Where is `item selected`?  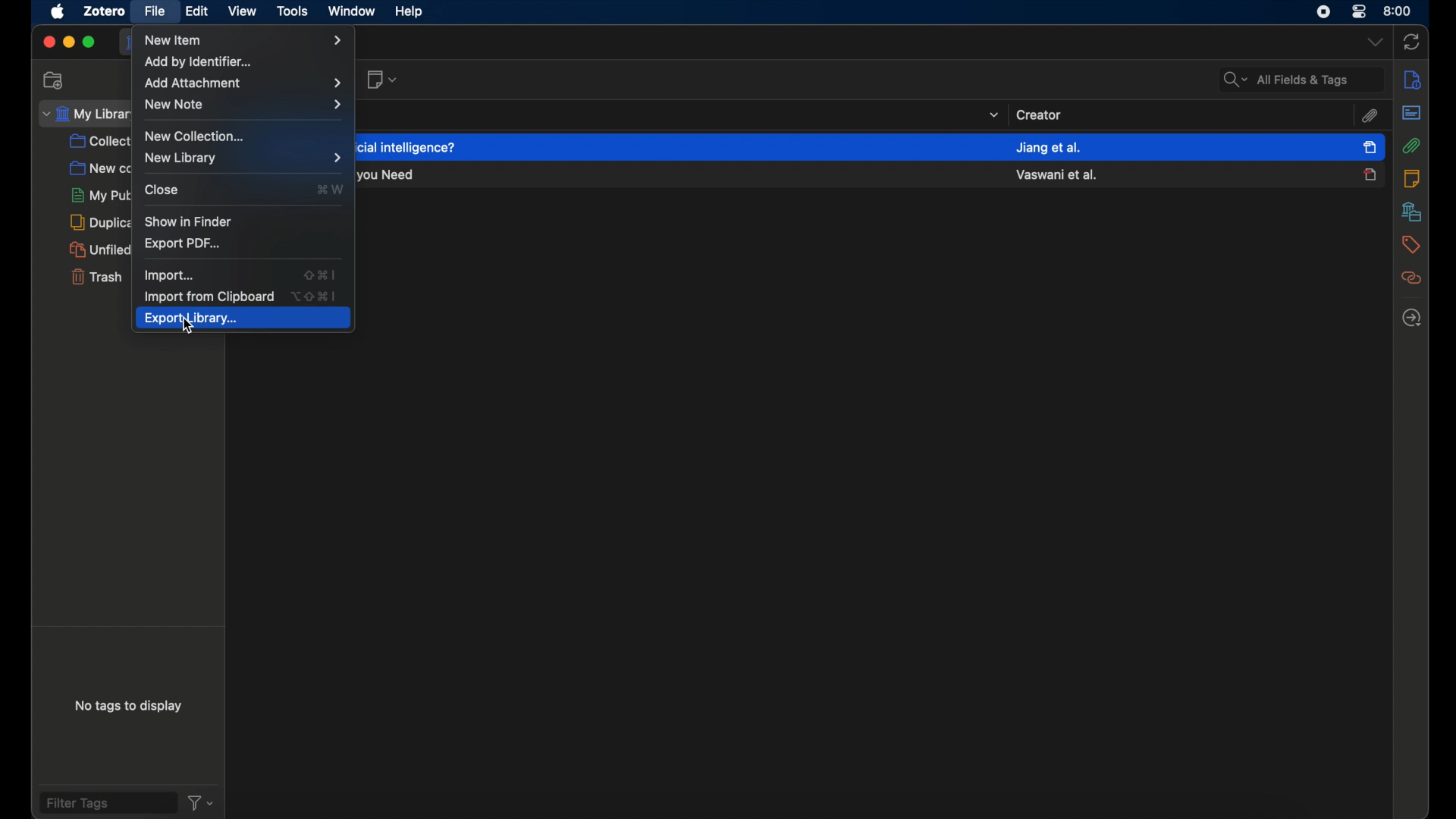
item selected is located at coordinates (1370, 146).